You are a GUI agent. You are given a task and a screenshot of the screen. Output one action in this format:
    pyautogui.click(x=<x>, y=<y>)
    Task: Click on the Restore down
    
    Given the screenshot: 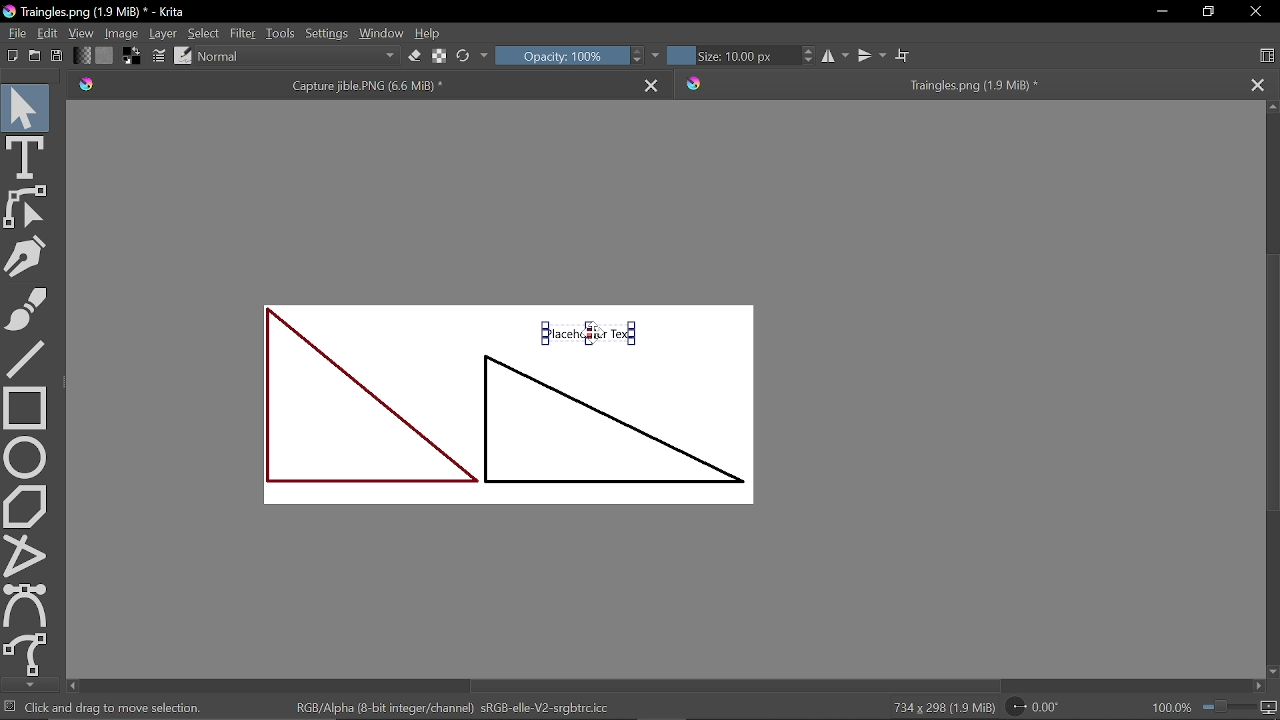 What is the action you would take?
    pyautogui.click(x=1206, y=12)
    